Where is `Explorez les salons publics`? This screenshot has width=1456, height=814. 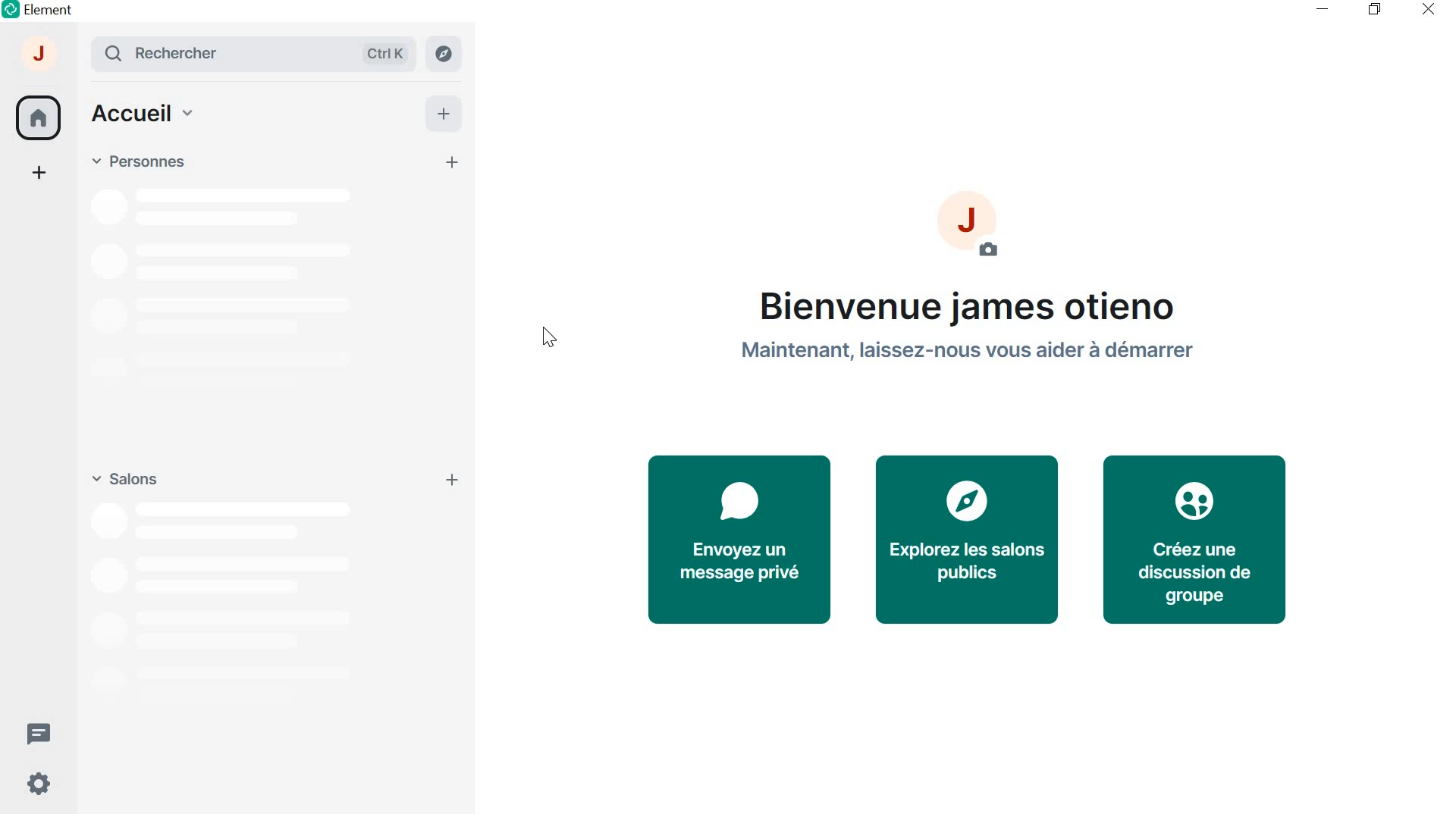 Explorez les salons publics is located at coordinates (968, 540).